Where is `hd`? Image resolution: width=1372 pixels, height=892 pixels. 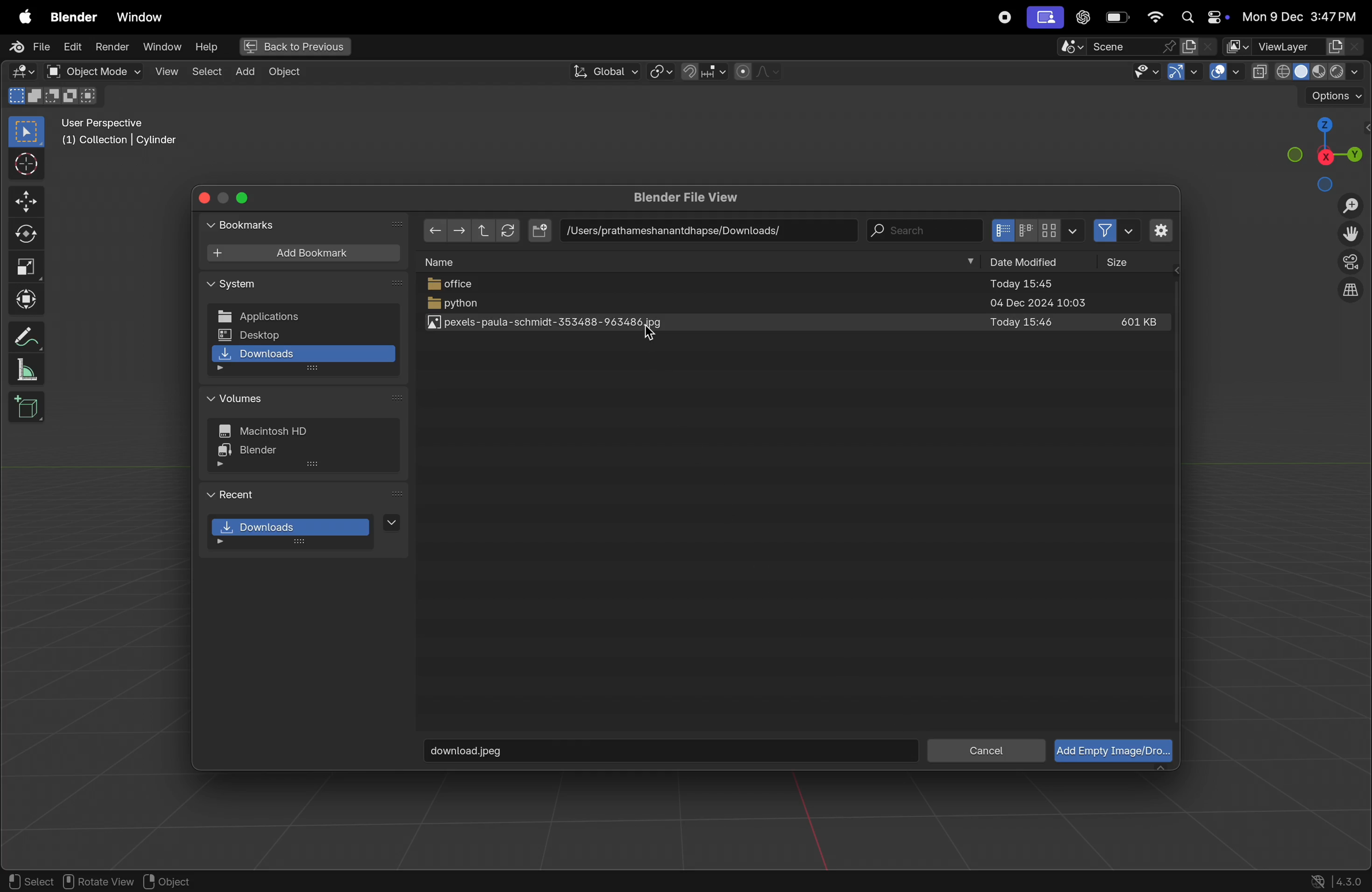
hd is located at coordinates (270, 432).